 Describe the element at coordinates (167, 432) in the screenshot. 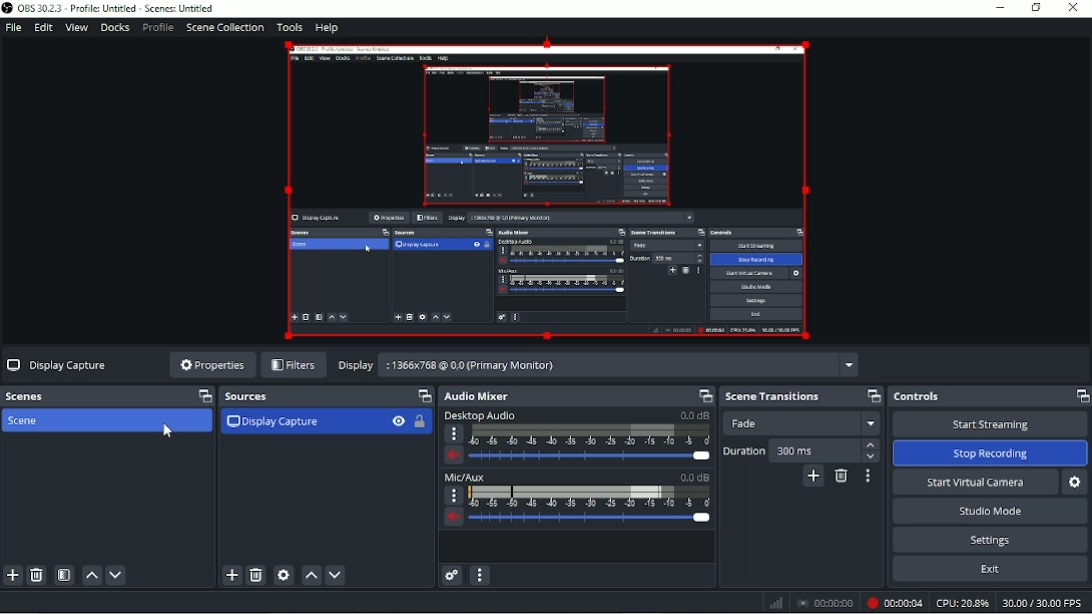

I see `Cursor` at that location.